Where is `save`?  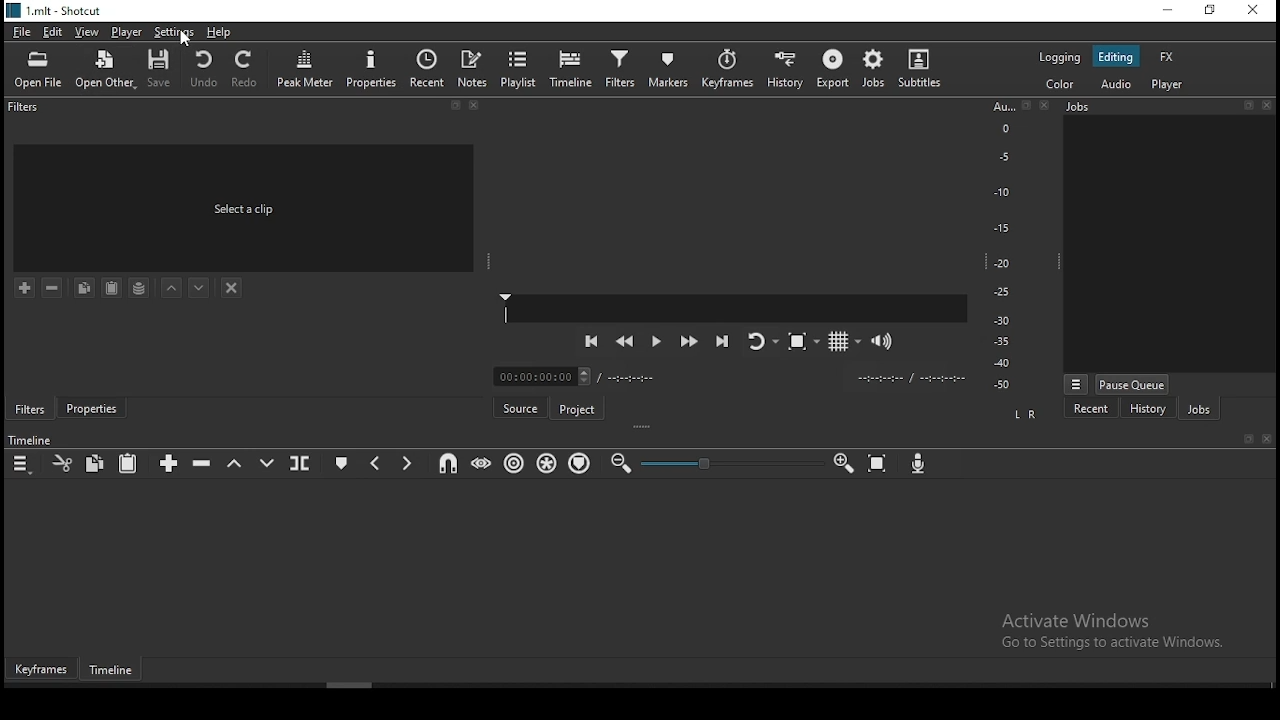 save is located at coordinates (163, 68).